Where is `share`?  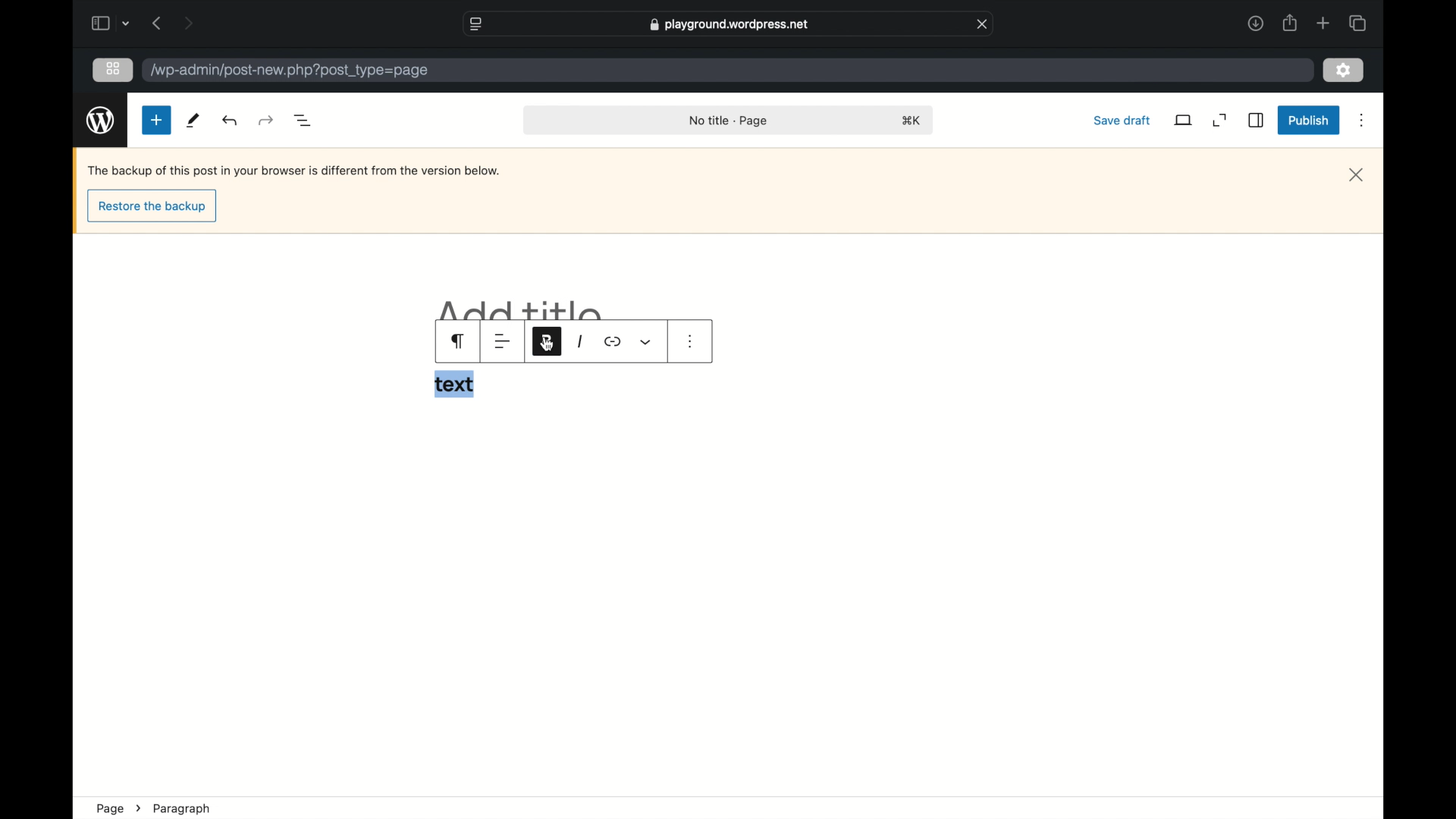 share is located at coordinates (1291, 23).